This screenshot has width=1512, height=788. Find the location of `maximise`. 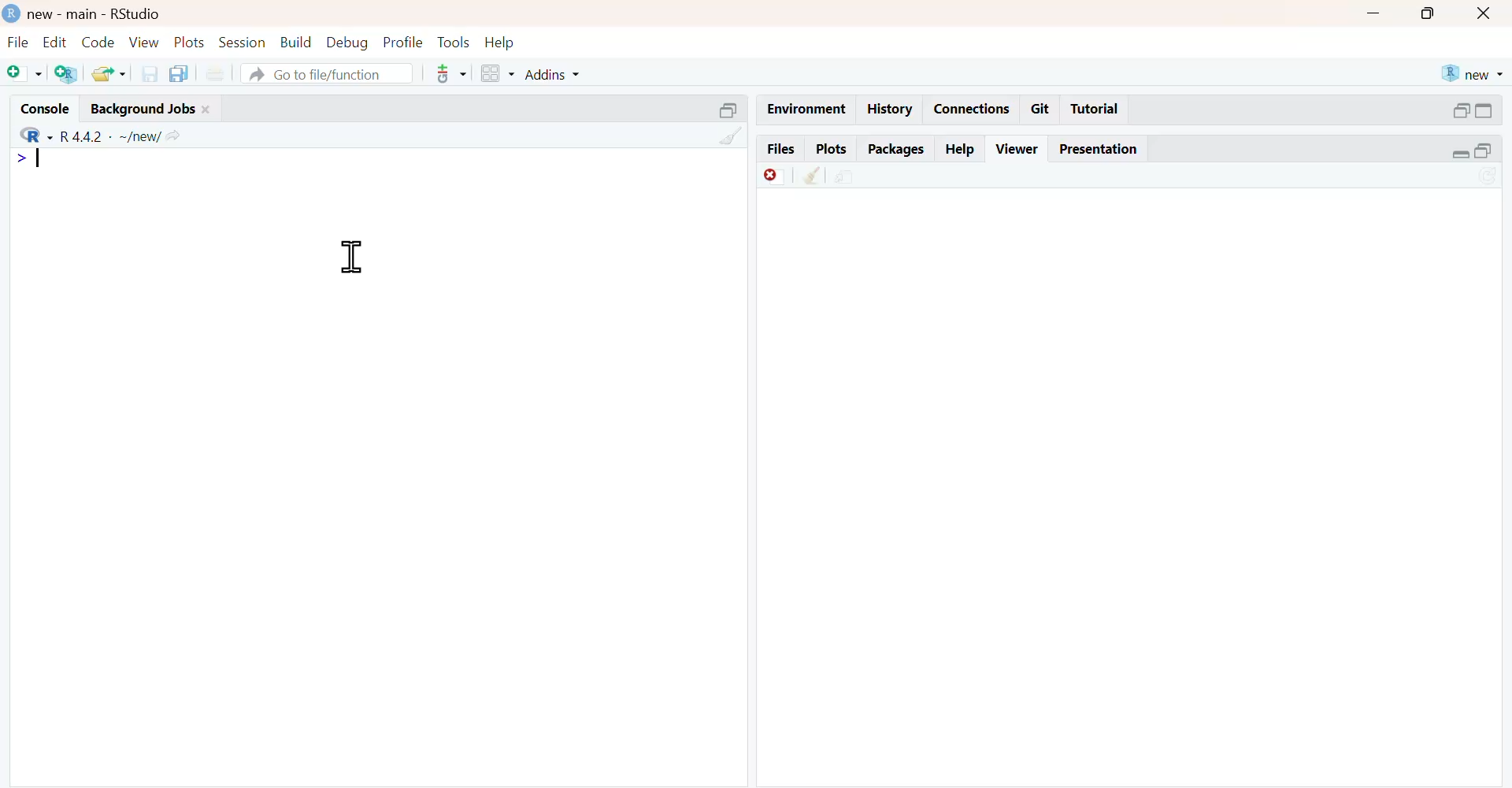

maximise is located at coordinates (1427, 15).